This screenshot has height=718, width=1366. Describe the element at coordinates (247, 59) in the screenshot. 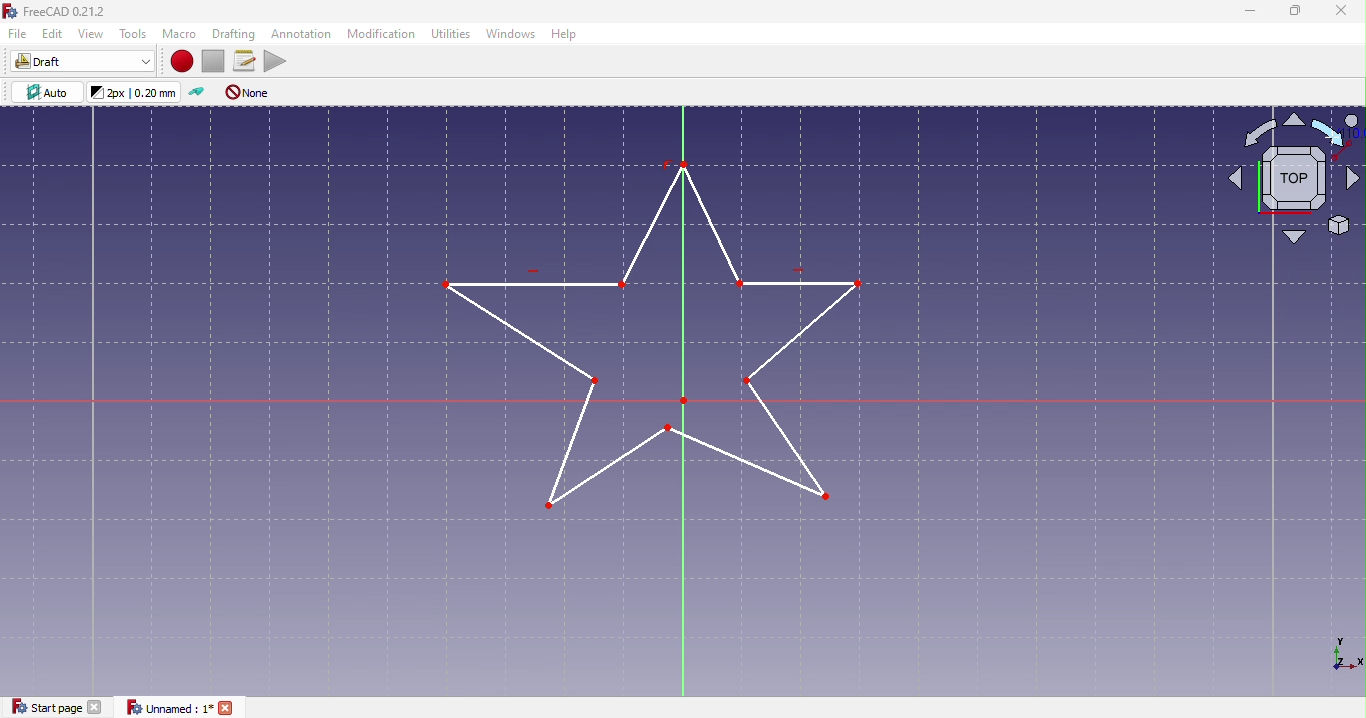

I see `Macros` at that location.